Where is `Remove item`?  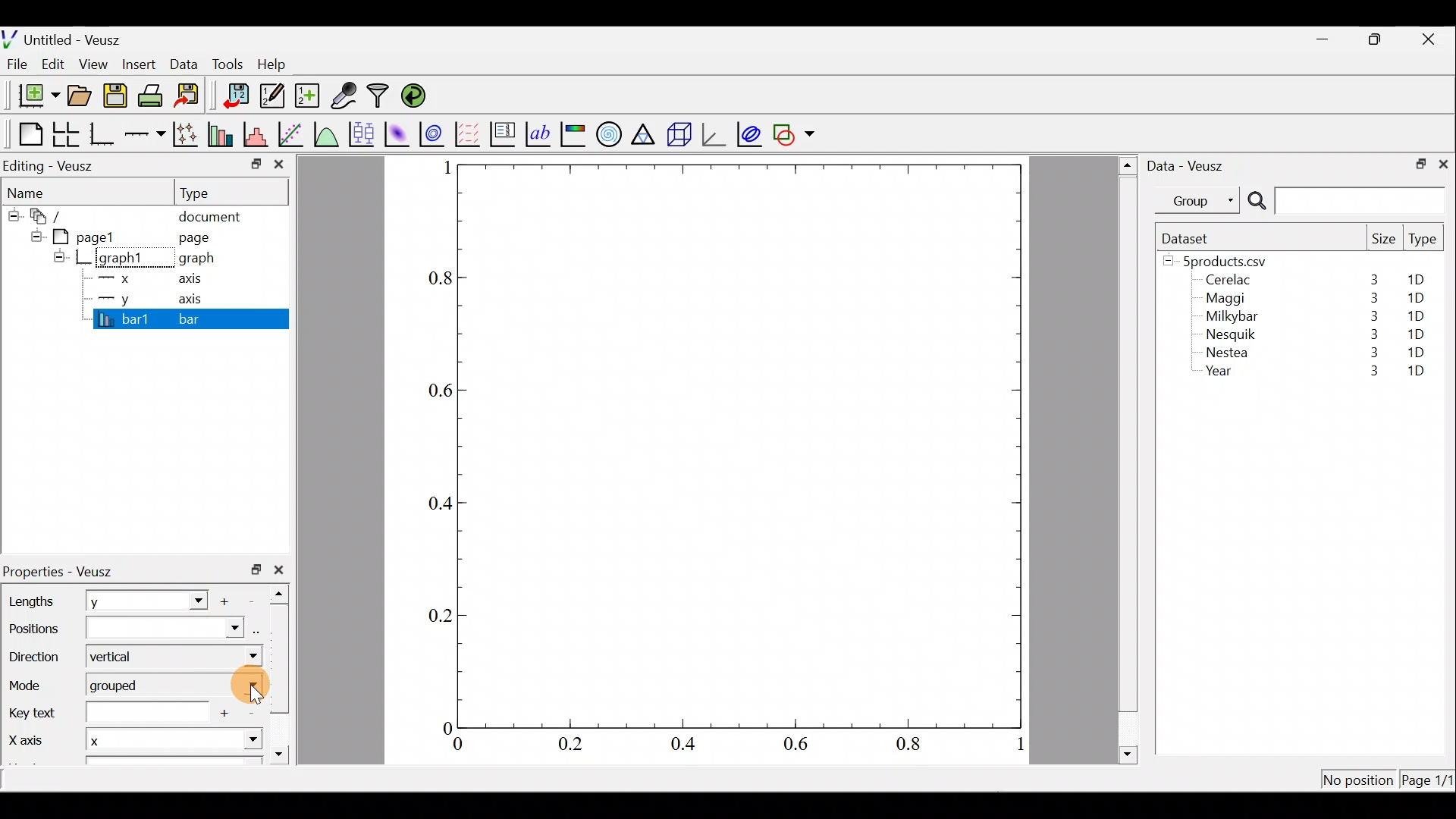 Remove item is located at coordinates (251, 714).